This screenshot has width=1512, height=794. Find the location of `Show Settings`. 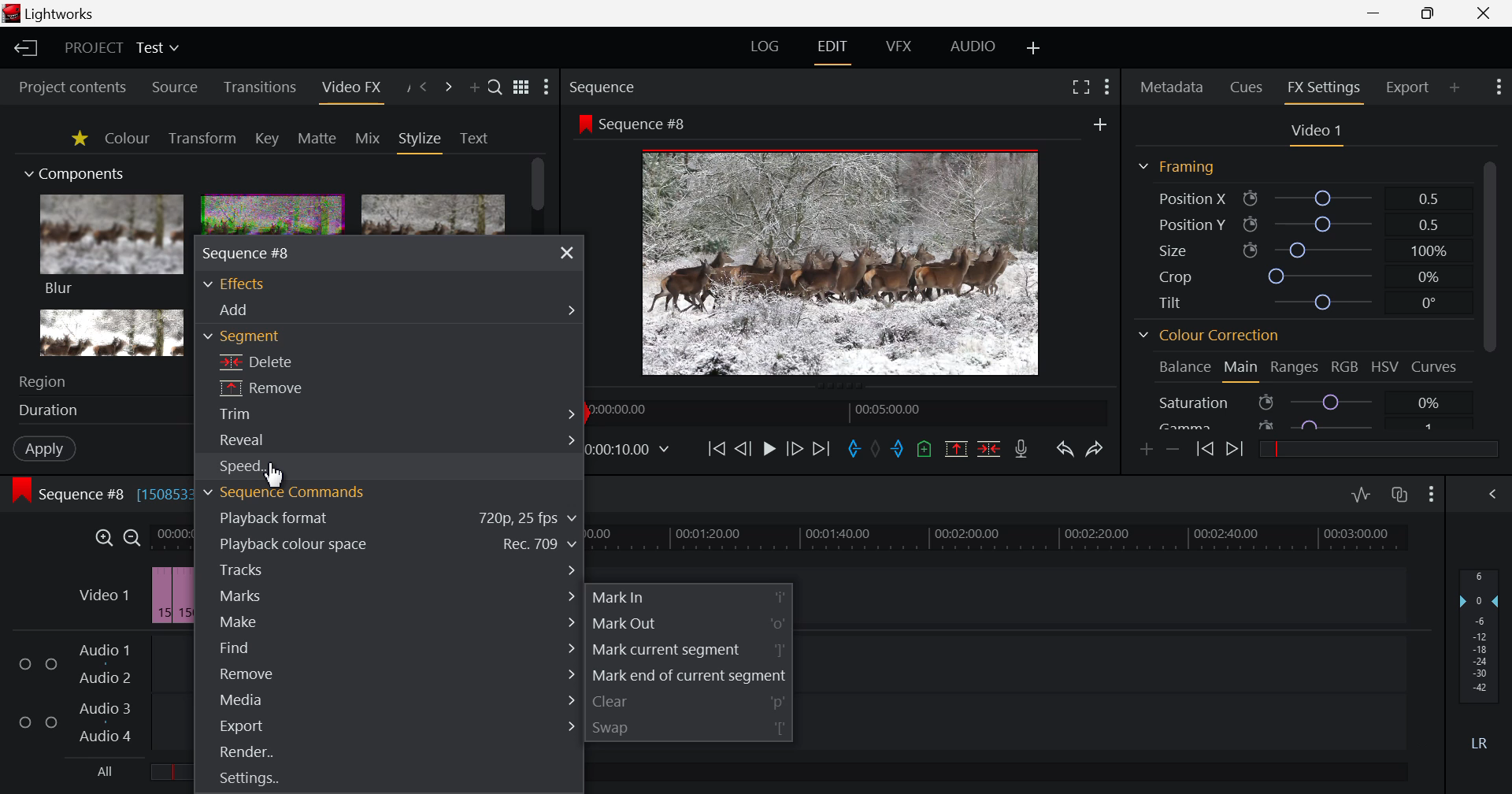

Show Settings is located at coordinates (1497, 89).